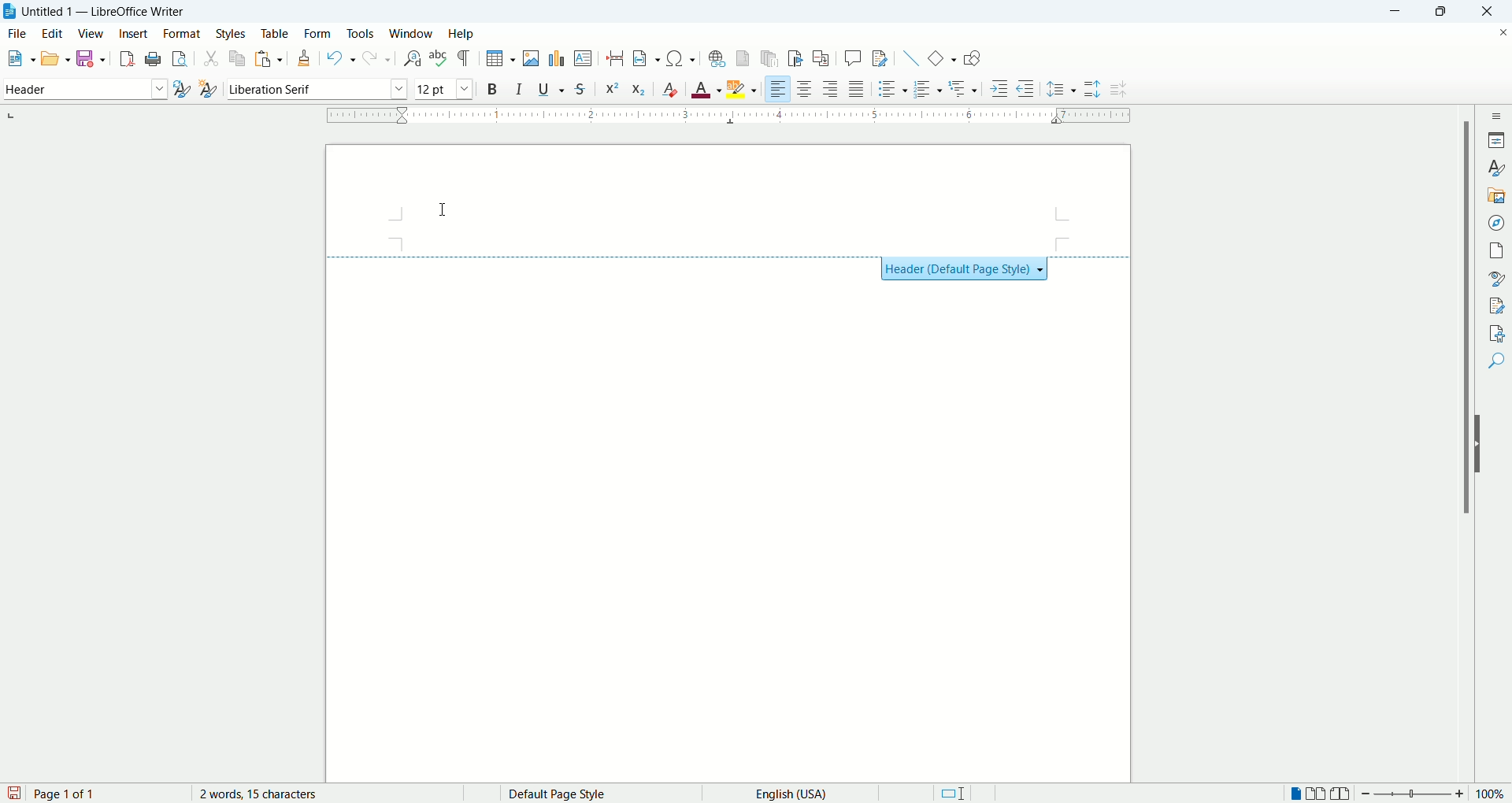  Describe the element at coordinates (16, 58) in the screenshot. I see `new` at that location.